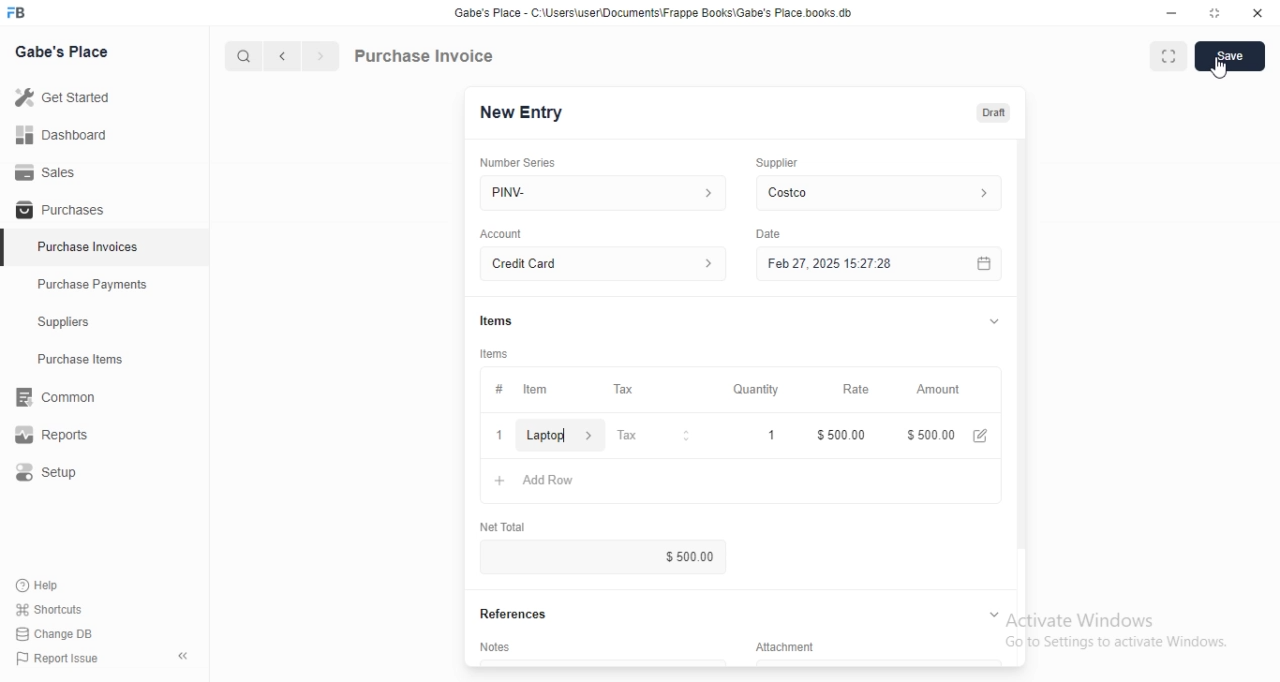  What do you see at coordinates (752, 435) in the screenshot?
I see `1` at bounding box center [752, 435].